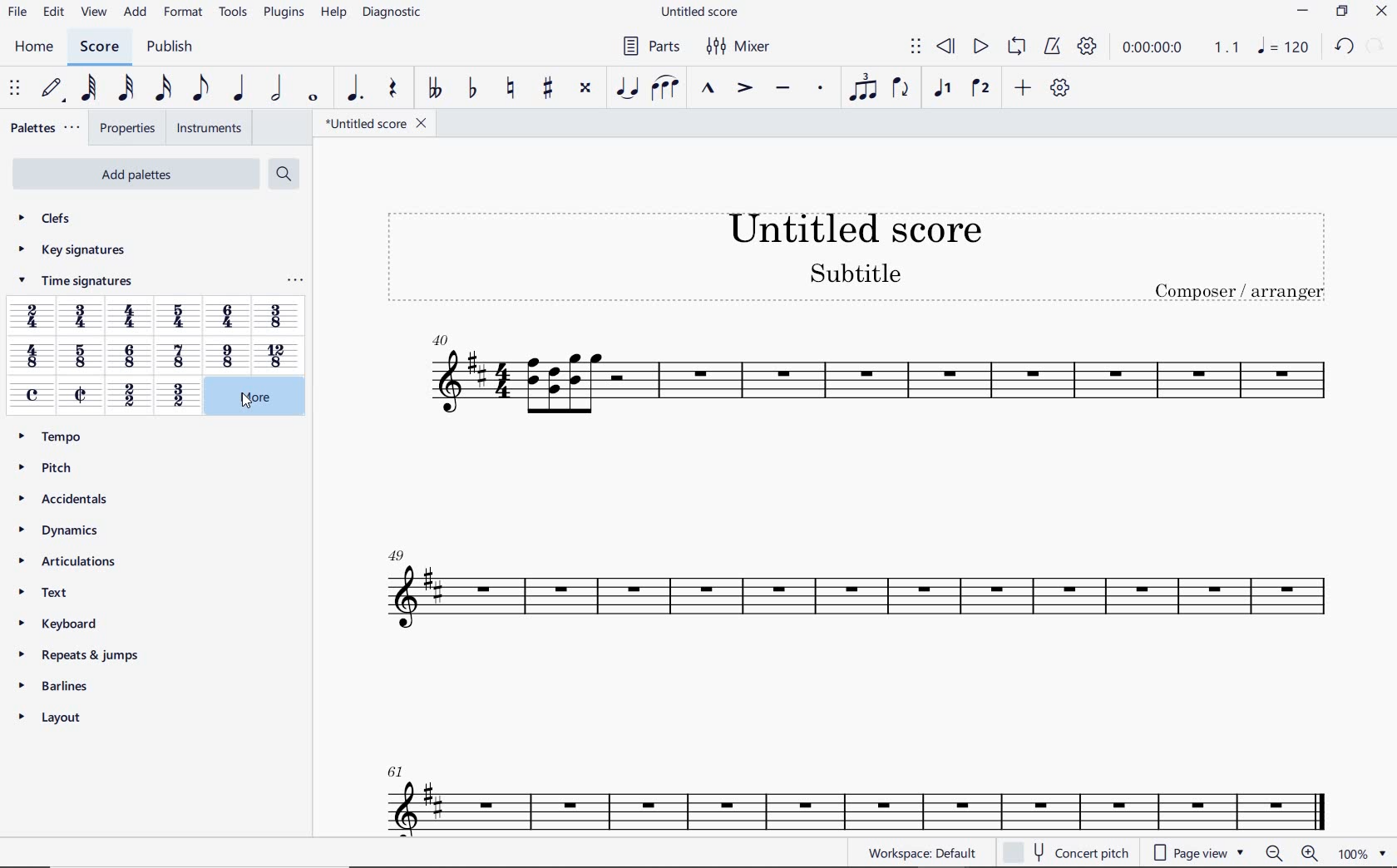 This screenshot has width=1397, height=868. I want to click on FILE NAME, so click(701, 14).